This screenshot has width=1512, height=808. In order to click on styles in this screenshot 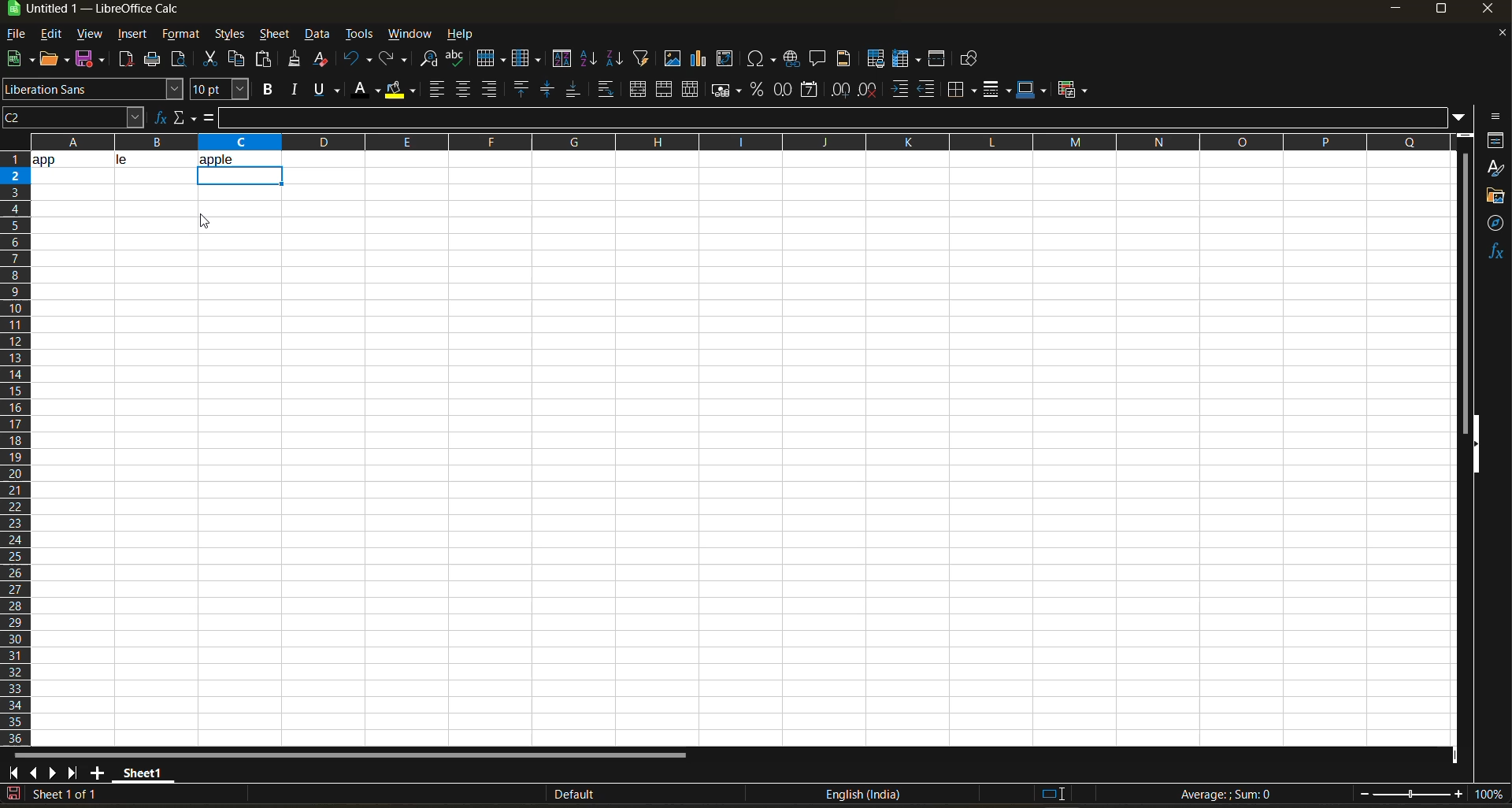, I will do `click(1495, 169)`.